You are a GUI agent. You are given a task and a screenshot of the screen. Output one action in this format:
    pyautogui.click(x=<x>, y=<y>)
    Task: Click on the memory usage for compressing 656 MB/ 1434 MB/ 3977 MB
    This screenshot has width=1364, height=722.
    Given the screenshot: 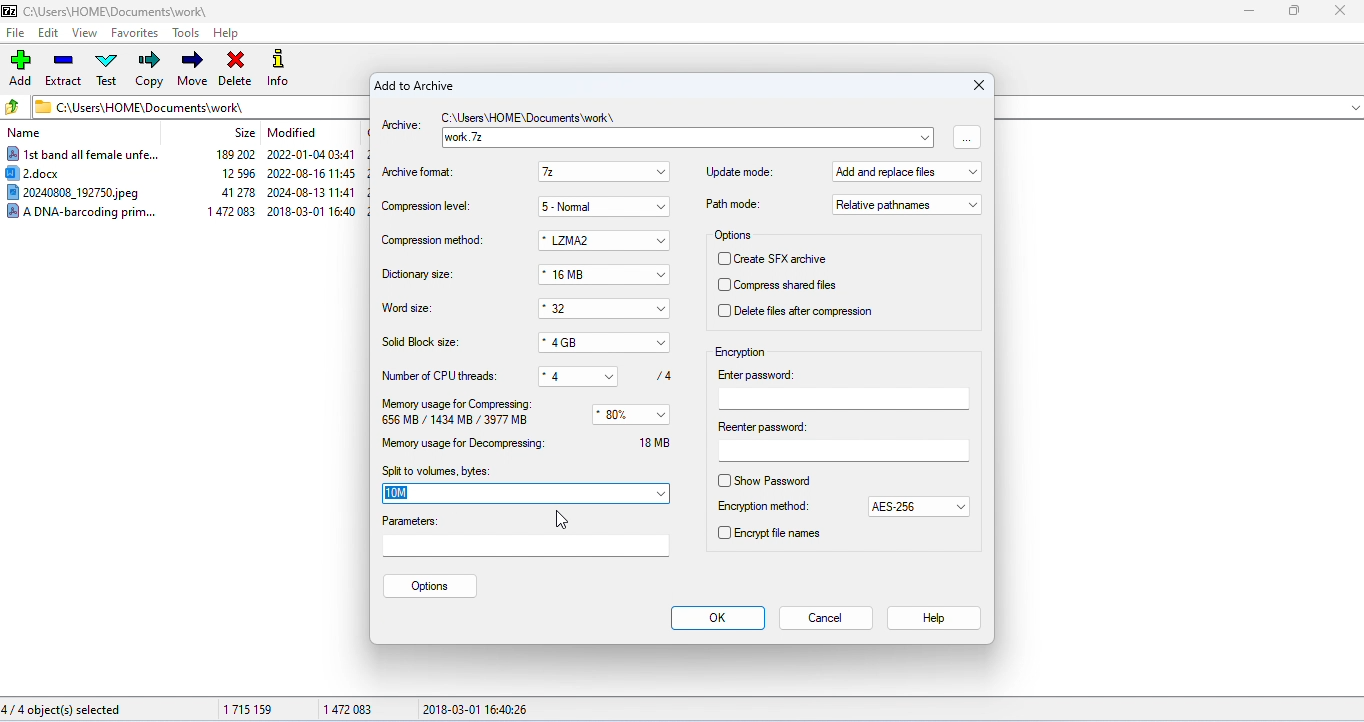 What is the action you would take?
    pyautogui.click(x=459, y=413)
    